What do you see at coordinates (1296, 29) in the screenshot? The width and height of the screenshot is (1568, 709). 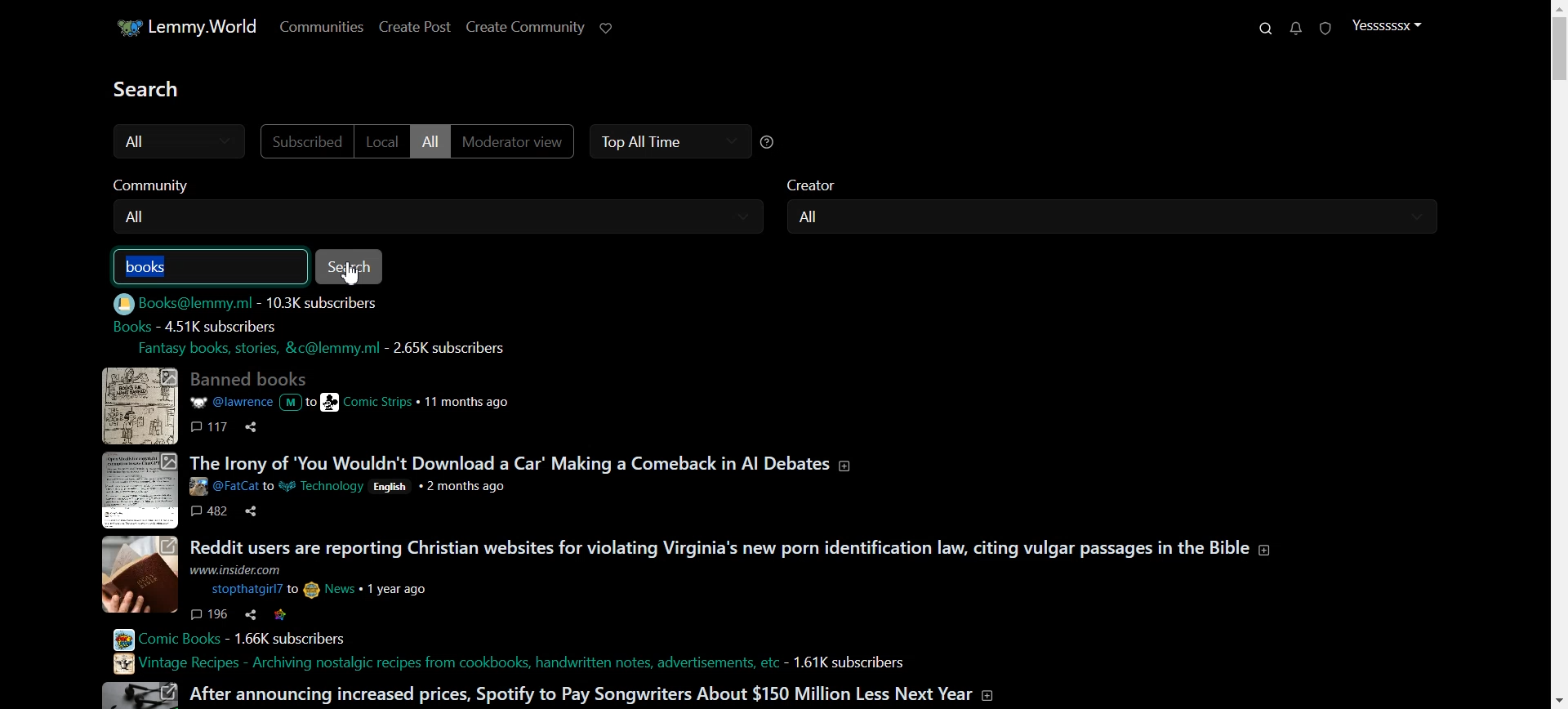 I see `Unread messages` at bounding box center [1296, 29].